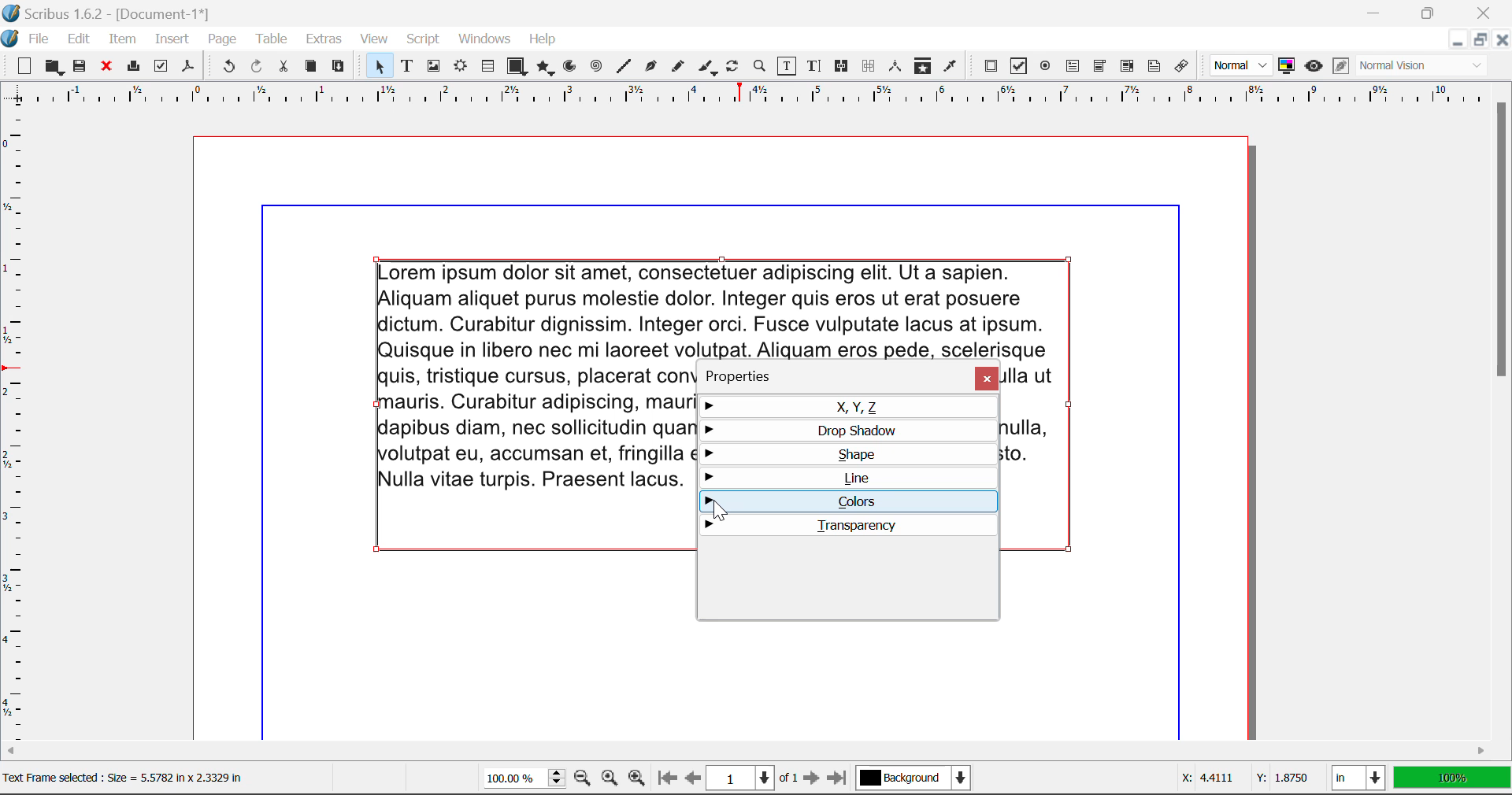 The height and width of the screenshot is (795, 1512). Describe the element at coordinates (79, 39) in the screenshot. I see `Edit` at that location.